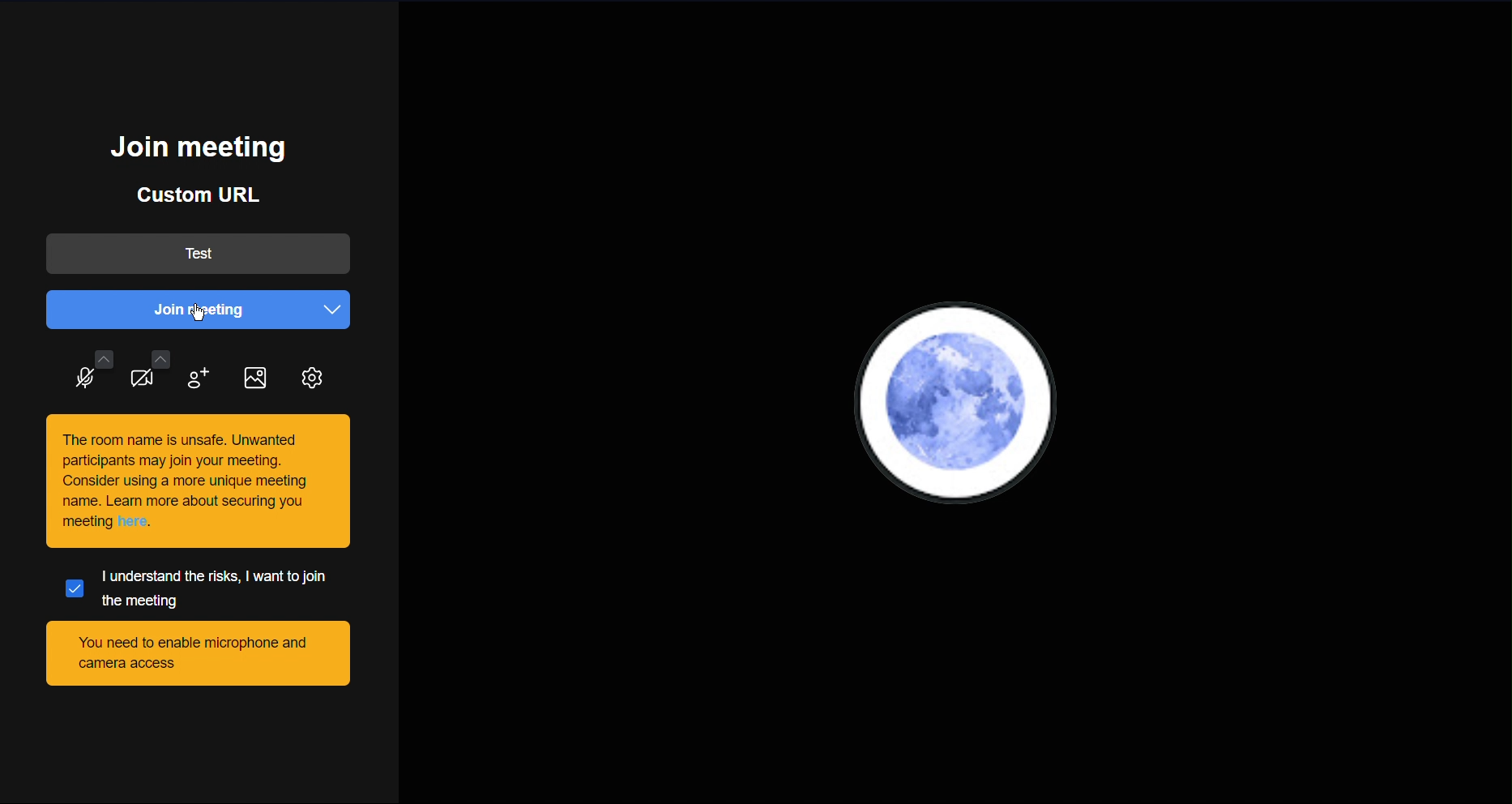  Describe the element at coordinates (149, 372) in the screenshot. I see `Video` at that location.